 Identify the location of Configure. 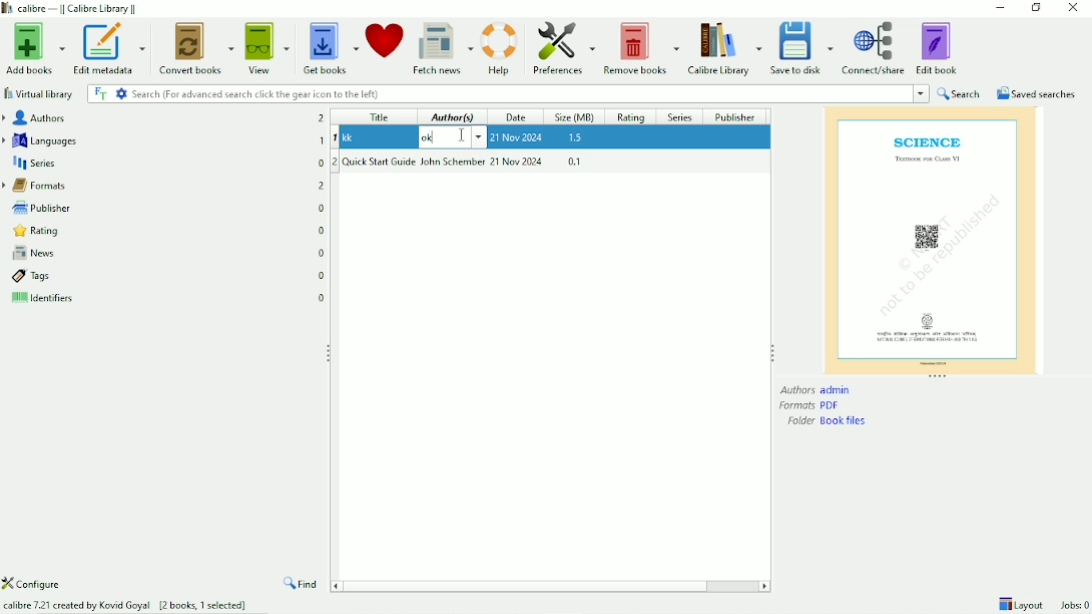
(35, 583).